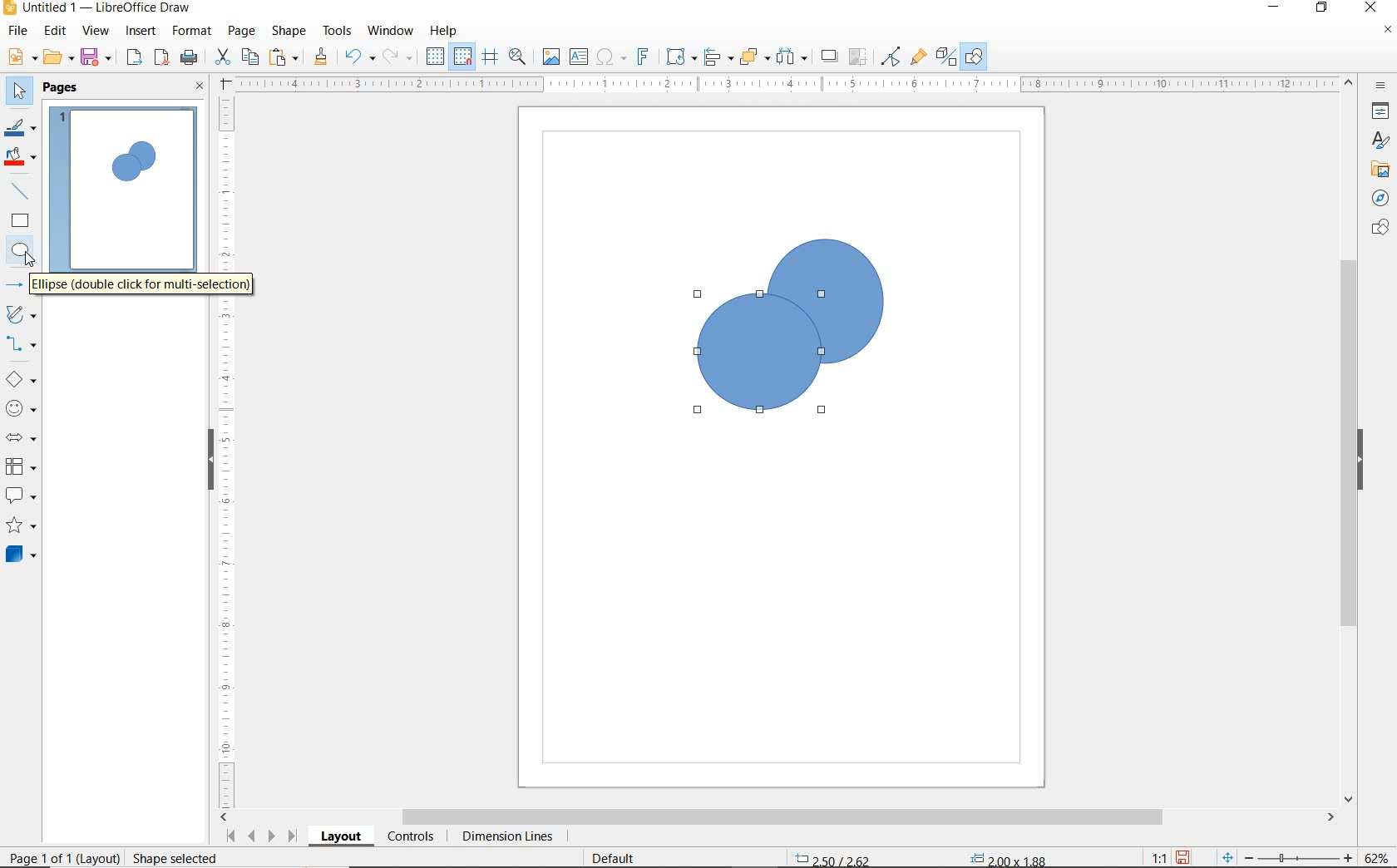 This screenshot has height=868, width=1397. I want to click on FILE NAME, so click(96, 9).